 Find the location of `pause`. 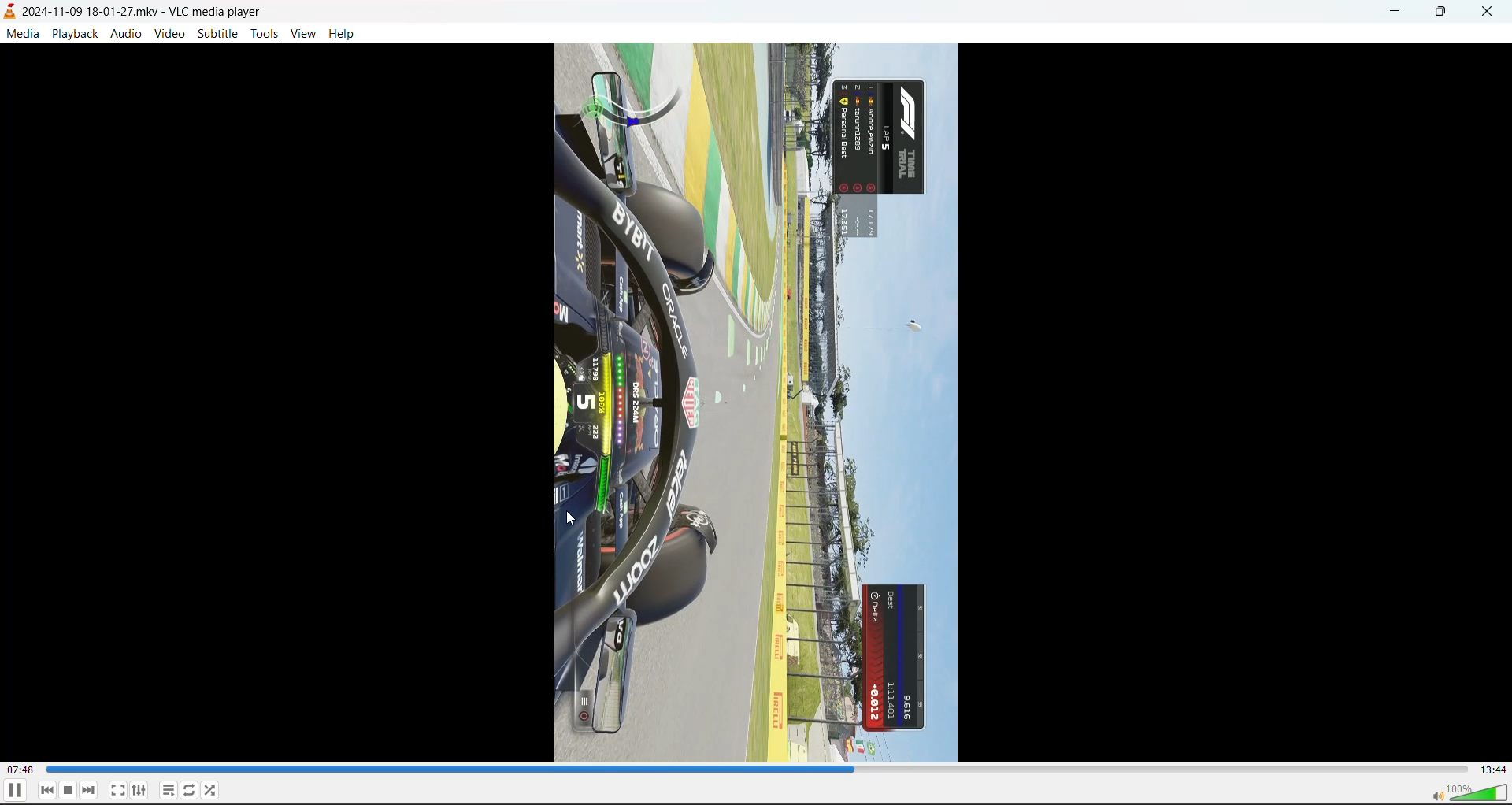

pause is located at coordinates (14, 791).